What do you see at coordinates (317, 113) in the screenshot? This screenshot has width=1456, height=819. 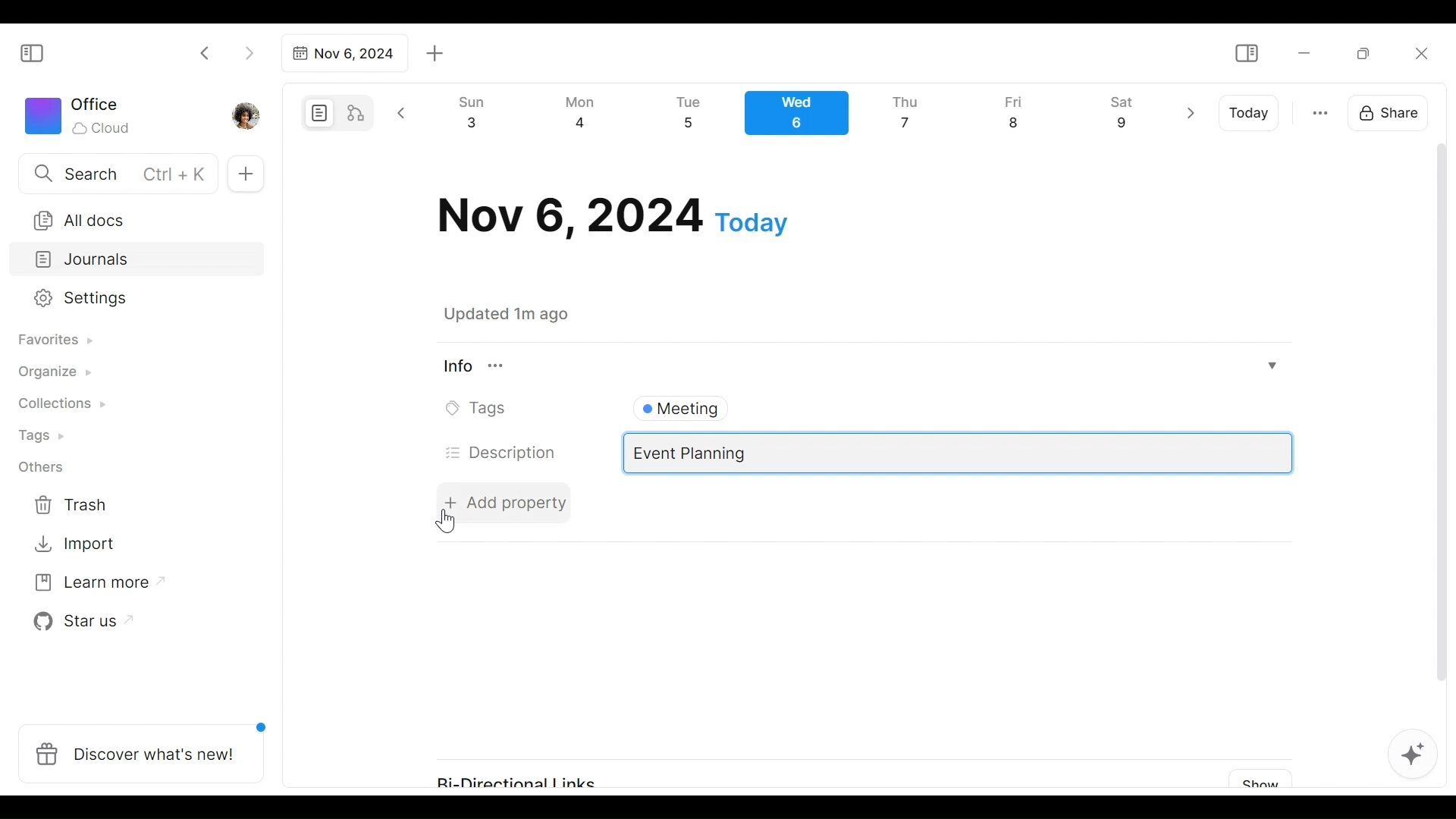 I see `Page mode` at bounding box center [317, 113].